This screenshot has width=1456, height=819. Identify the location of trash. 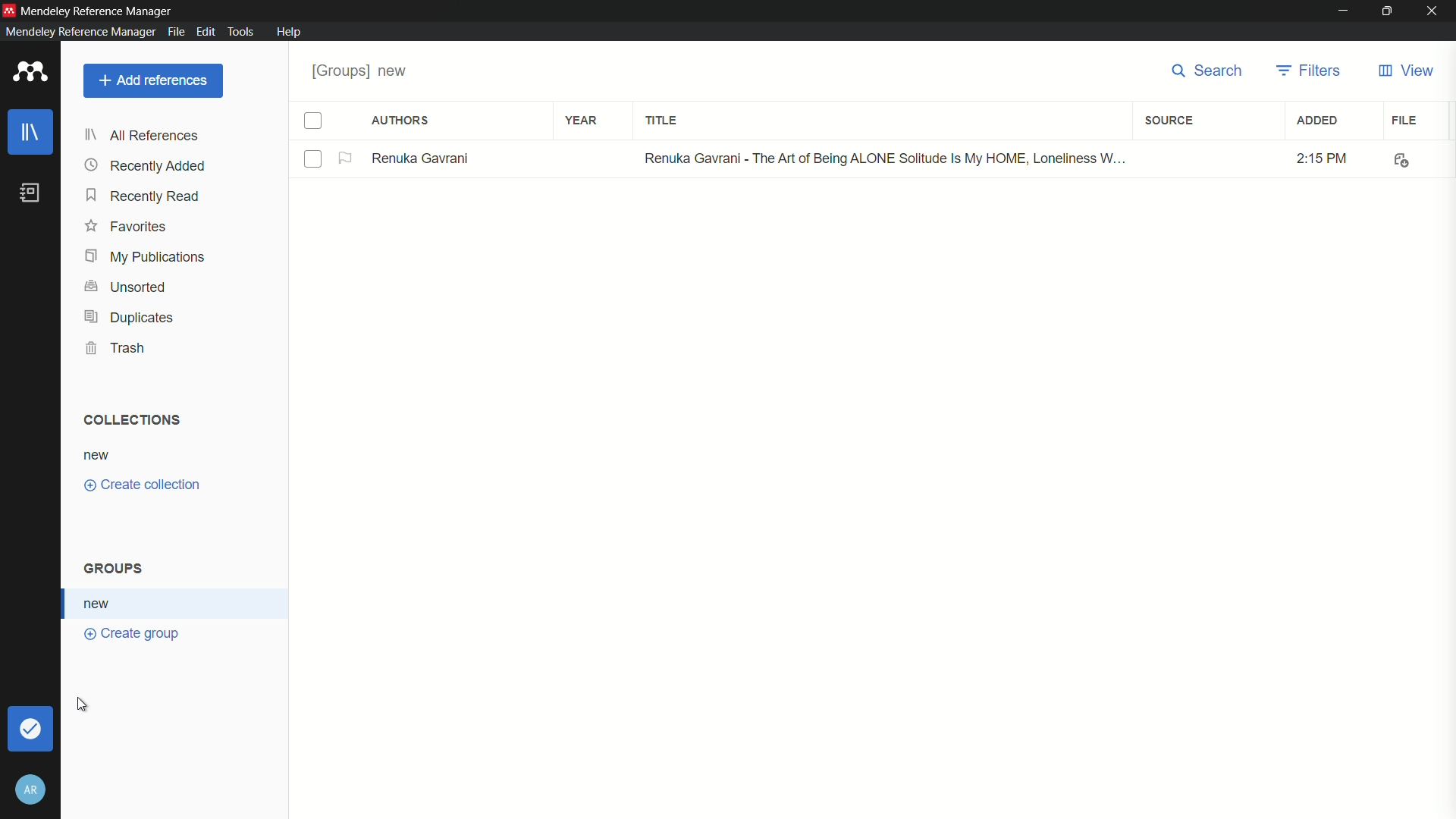
(118, 347).